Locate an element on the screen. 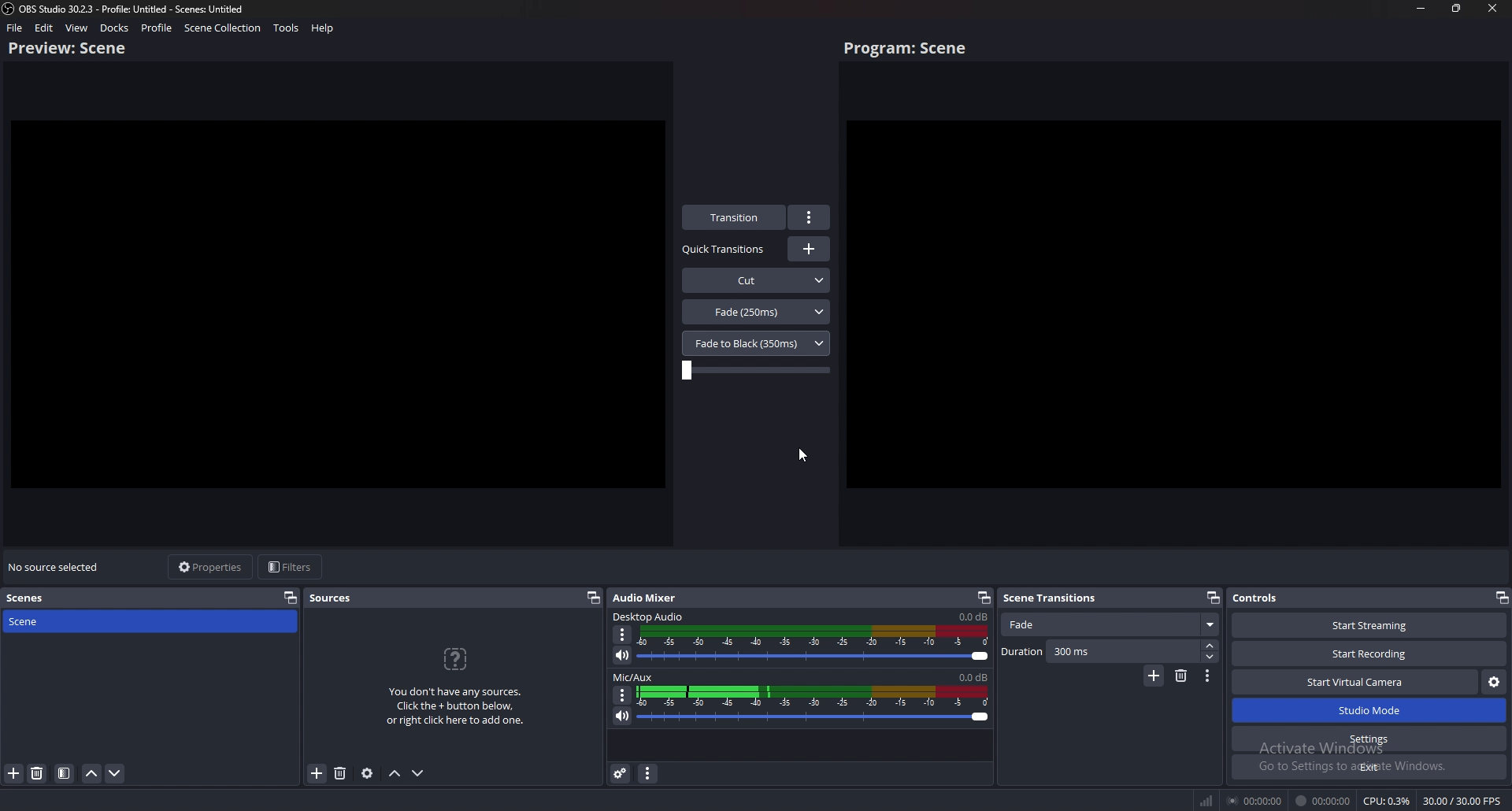  add scene is located at coordinates (13, 773).